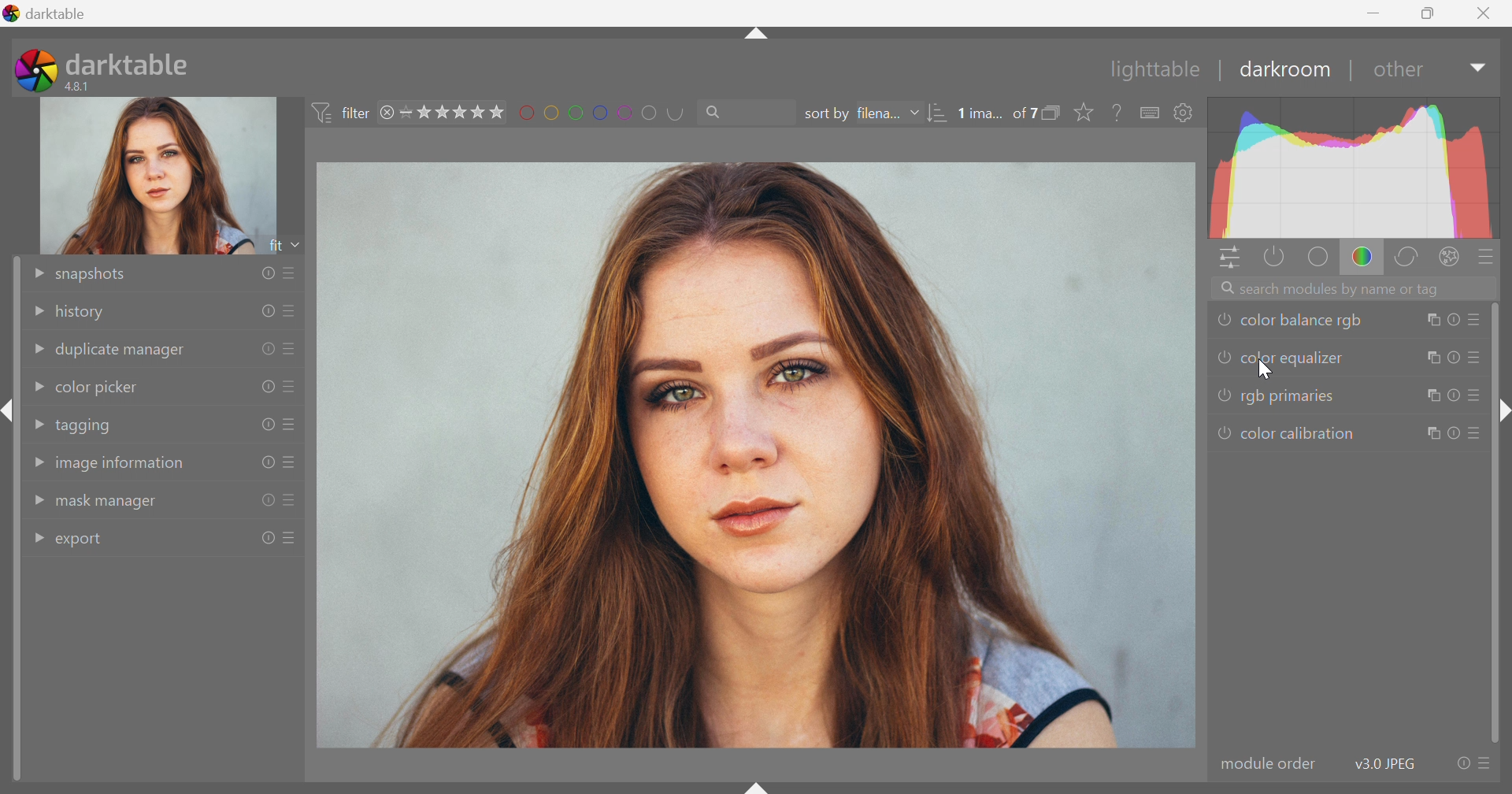 This screenshot has width=1512, height=794. What do you see at coordinates (1221, 69) in the screenshot?
I see `|` at bounding box center [1221, 69].